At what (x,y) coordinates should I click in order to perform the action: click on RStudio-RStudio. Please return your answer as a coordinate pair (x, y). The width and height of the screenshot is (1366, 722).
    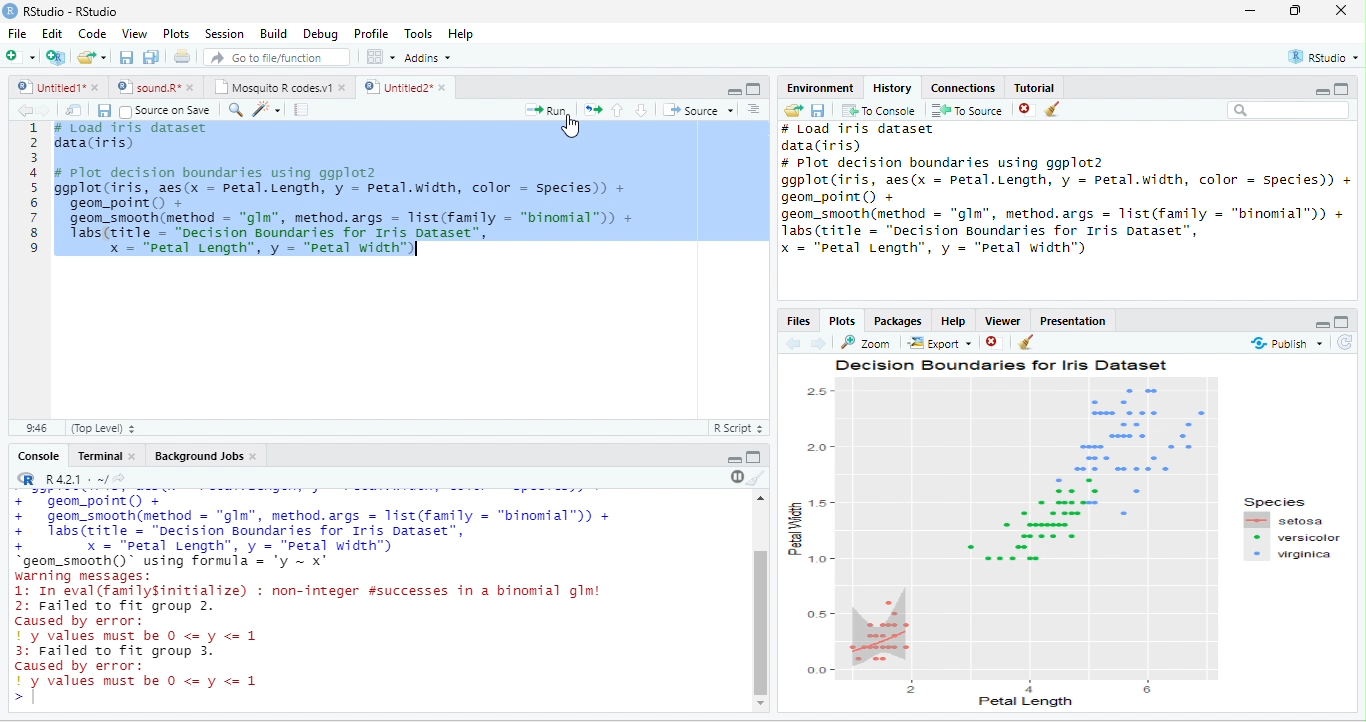
    Looking at the image, I should click on (72, 11).